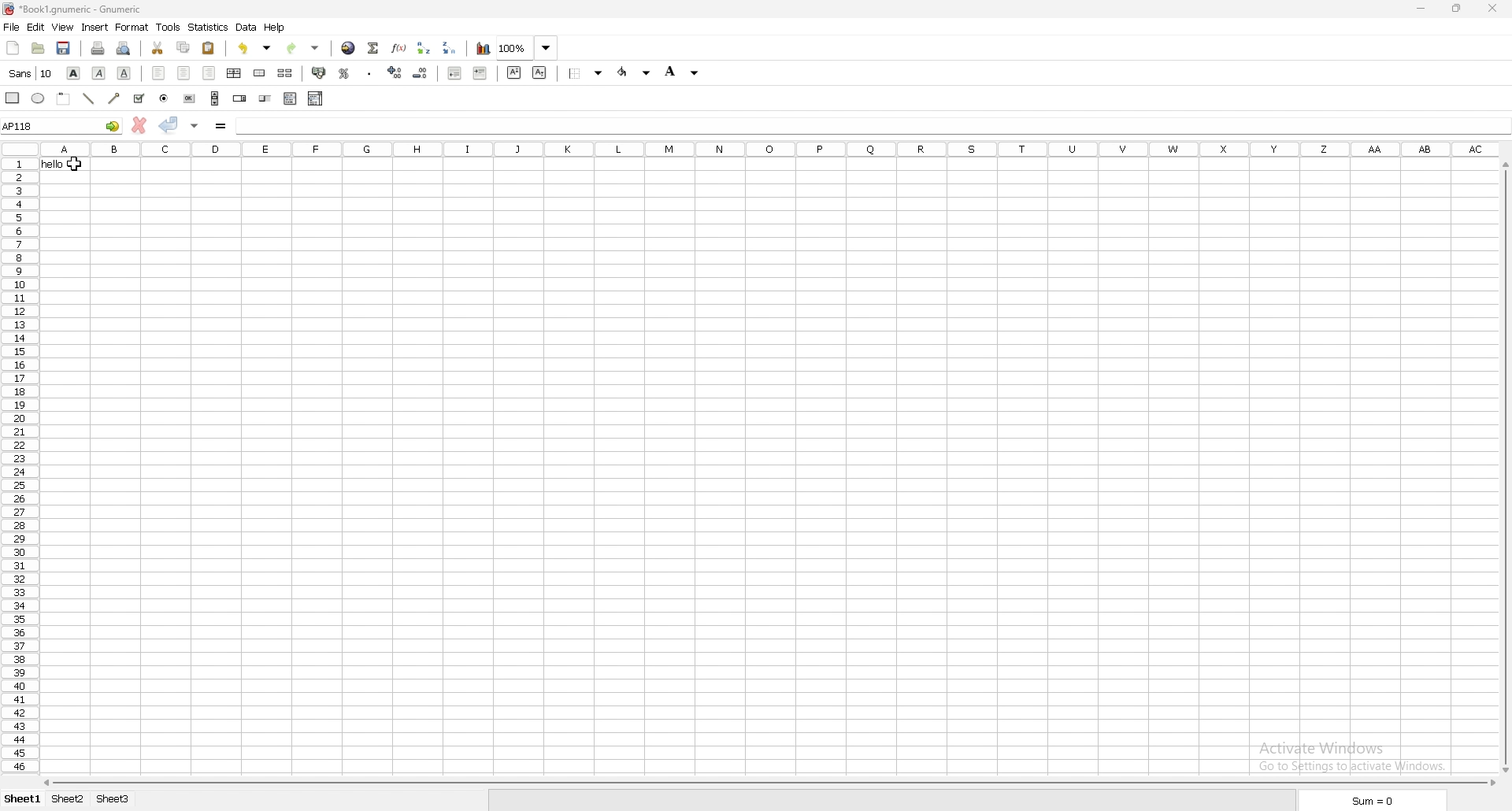 The width and height of the screenshot is (1512, 811). What do you see at coordinates (39, 98) in the screenshot?
I see `ellipse` at bounding box center [39, 98].